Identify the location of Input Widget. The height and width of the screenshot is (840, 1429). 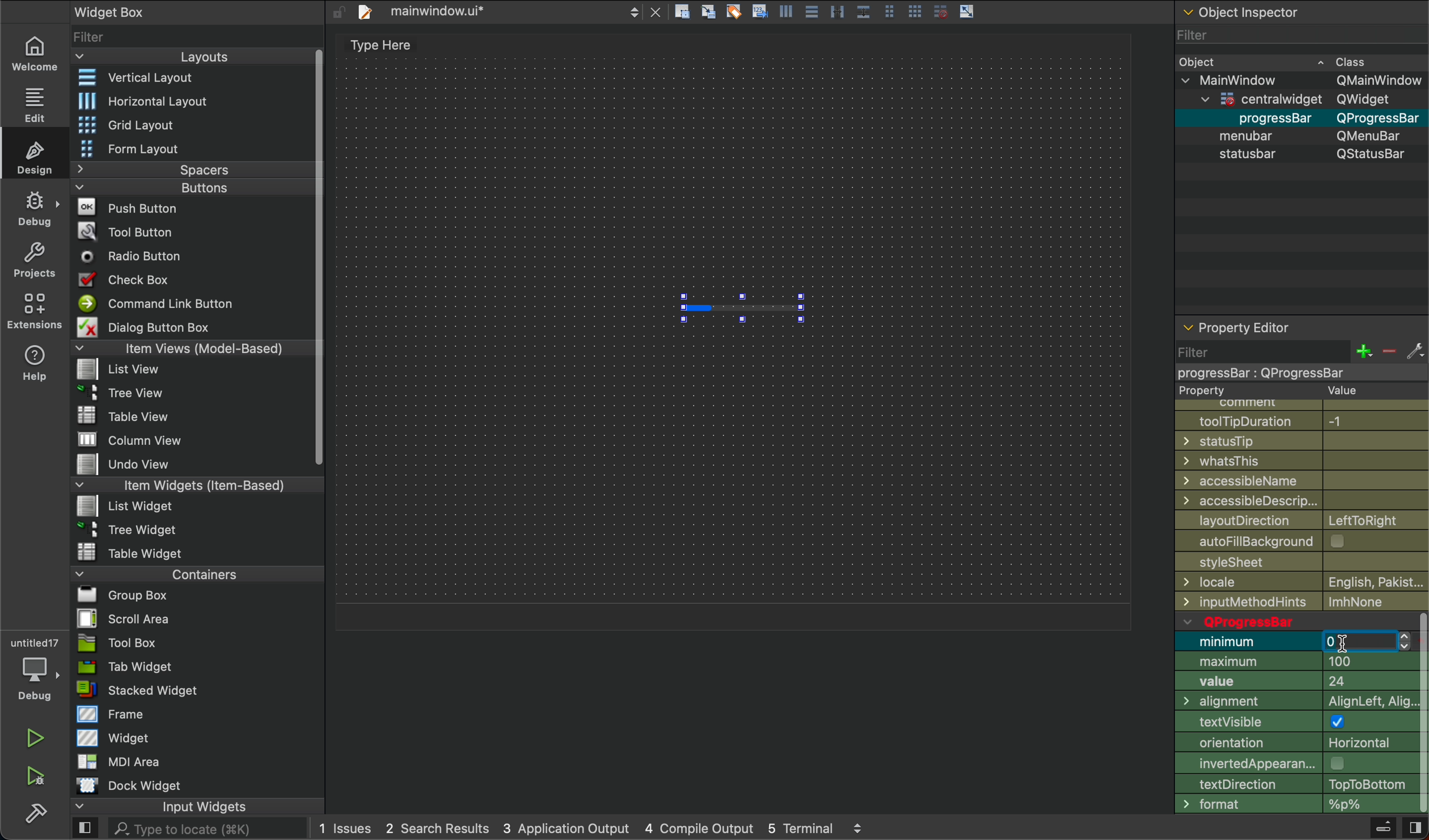
(159, 807).